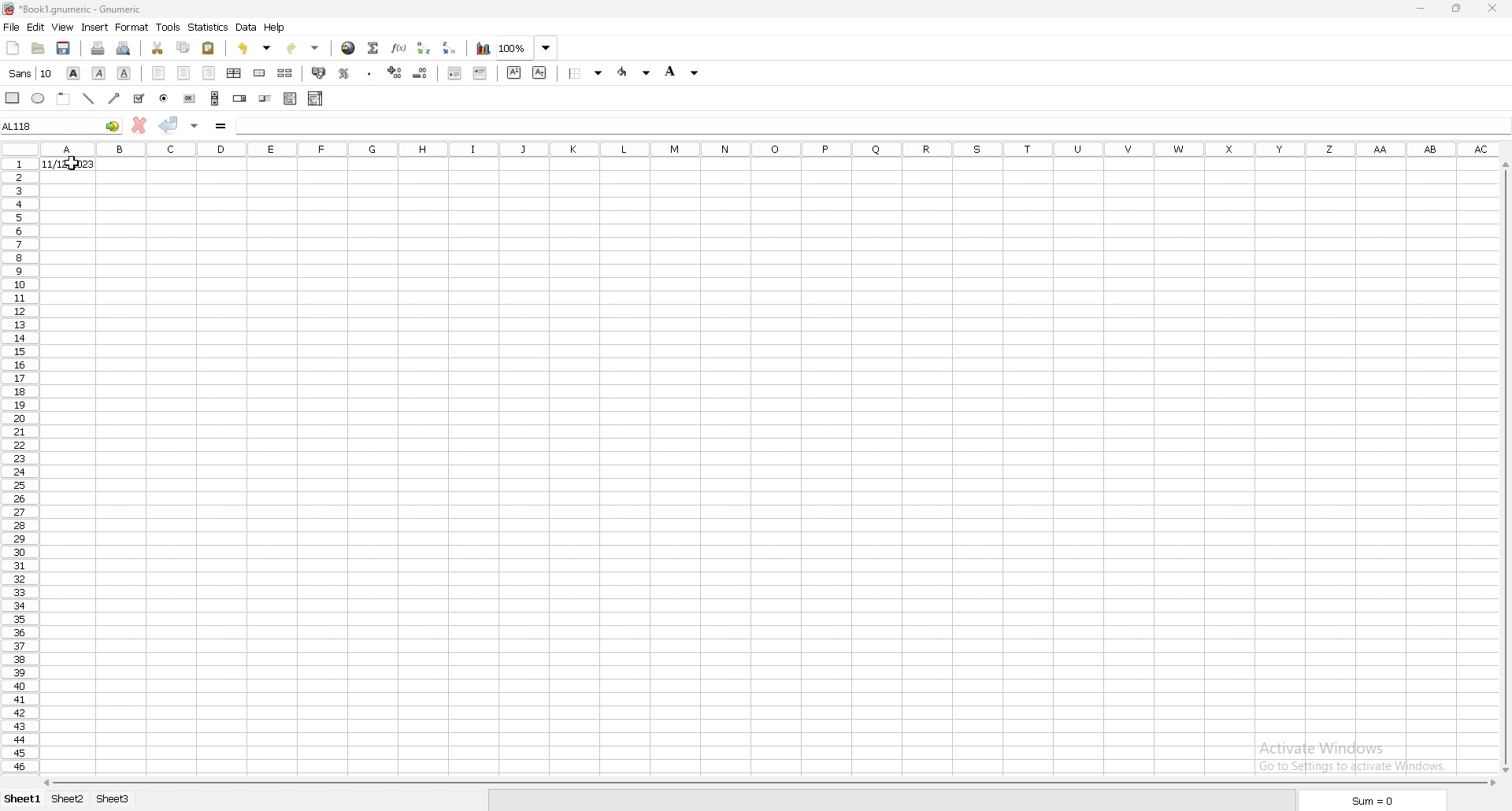  I want to click on resize, so click(1458, 8).